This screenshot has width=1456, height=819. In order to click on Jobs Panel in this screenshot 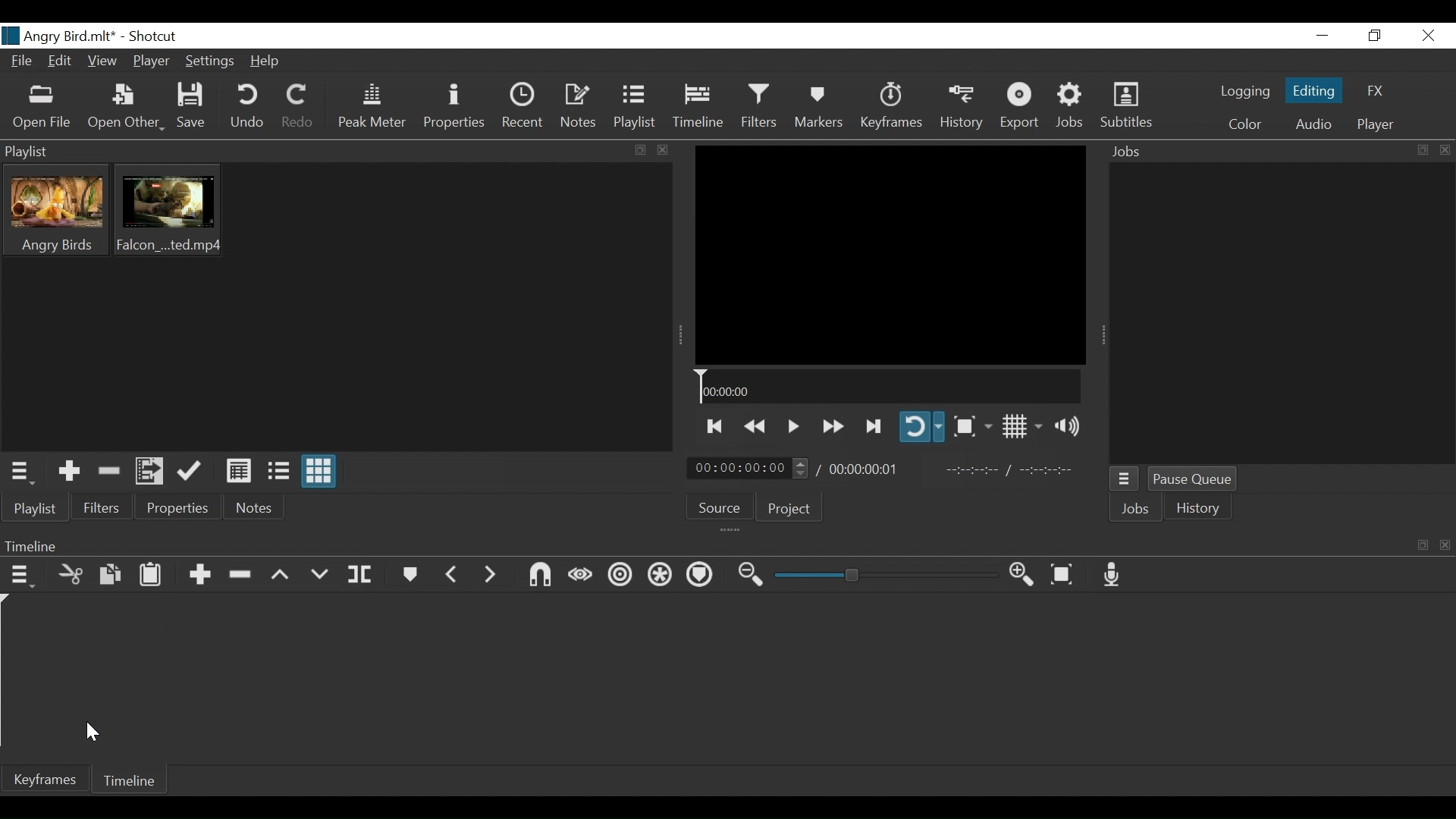, I will do `click(1281, 315)`.